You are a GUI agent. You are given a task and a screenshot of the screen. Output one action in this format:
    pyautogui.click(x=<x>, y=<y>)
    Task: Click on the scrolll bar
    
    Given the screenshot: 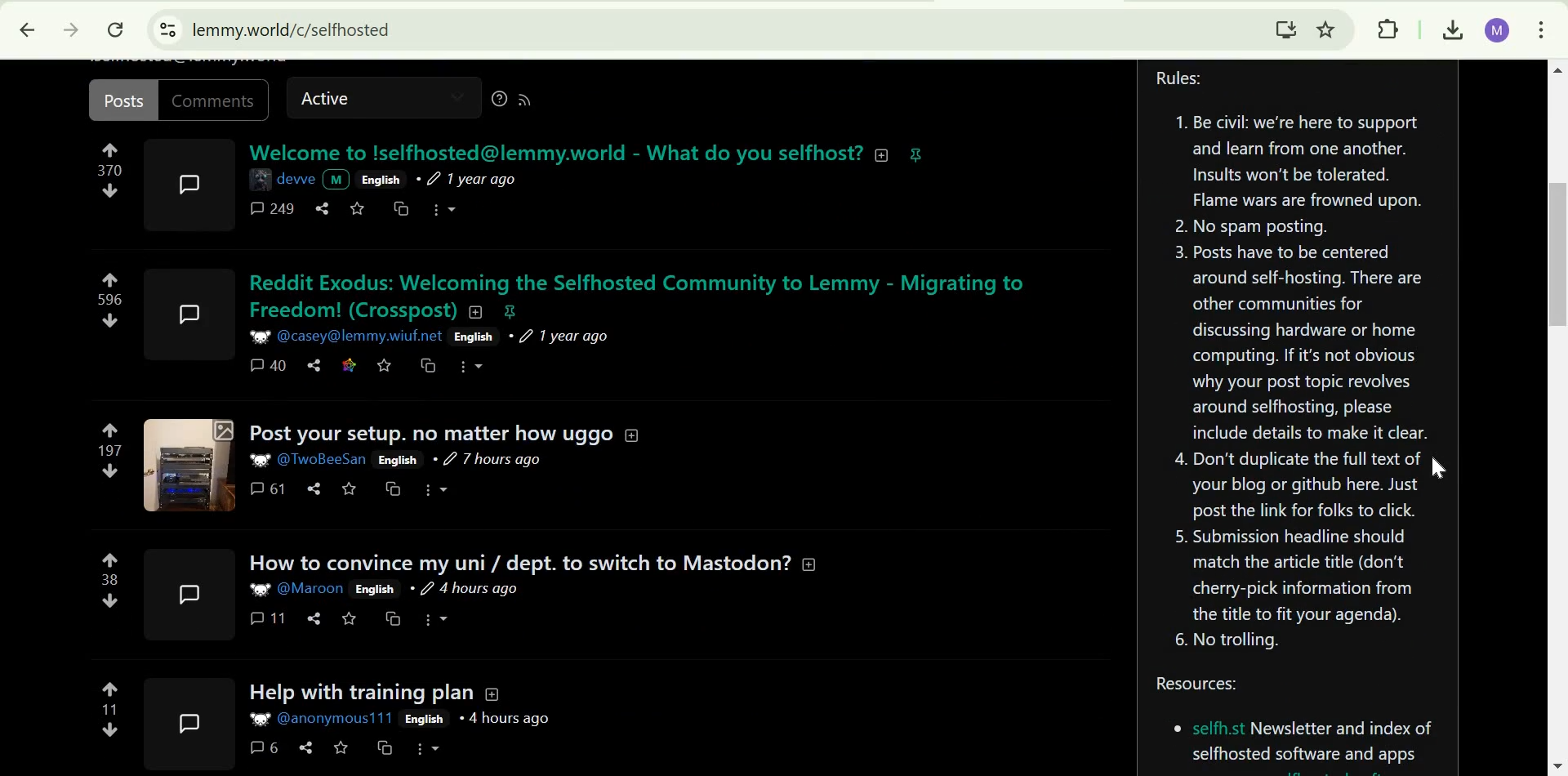 What is the action you would take?
    pyautogui.click(x=1558, y=255)
    